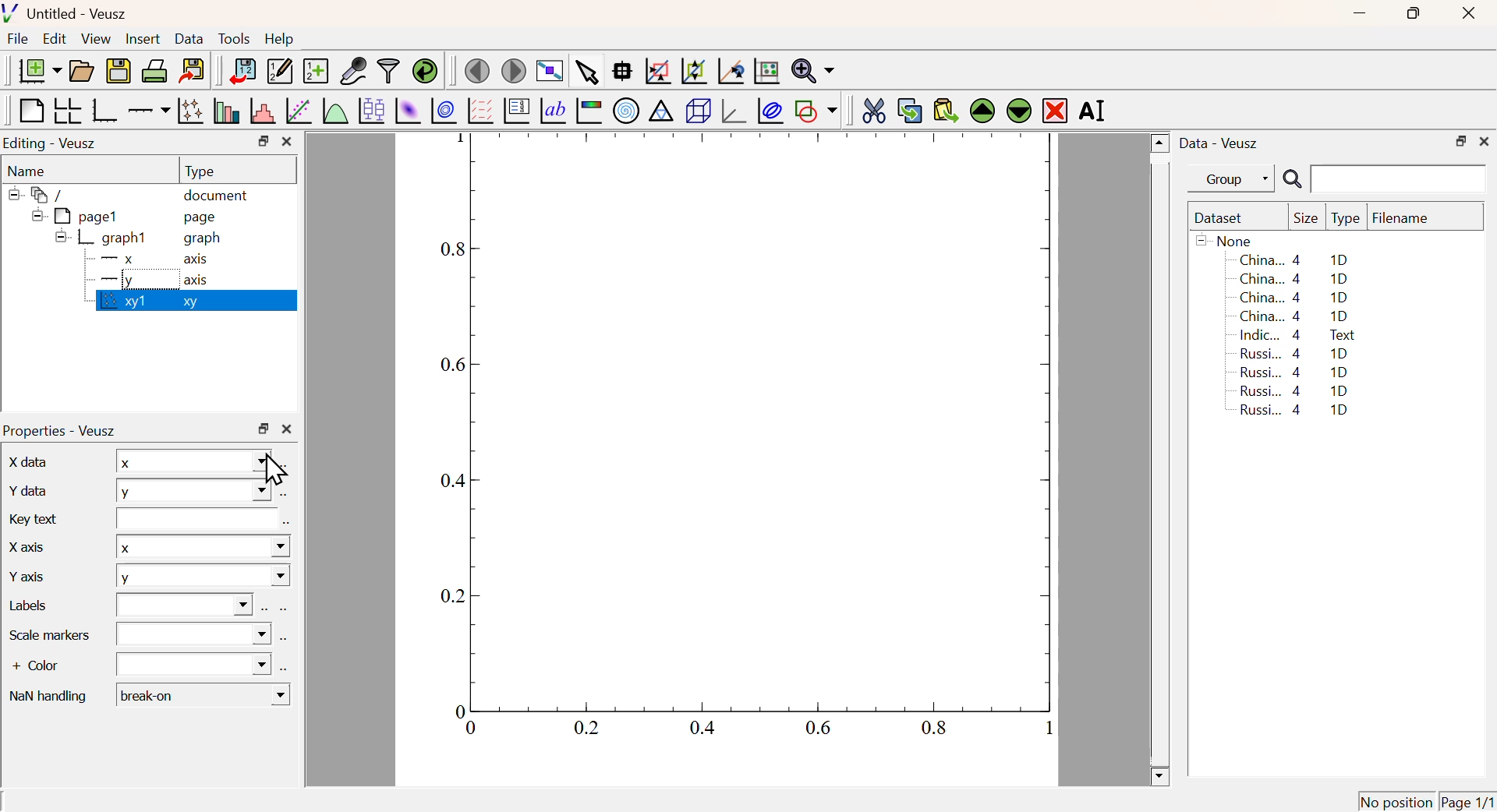 The image size is (1497, 812). What do you see at coordinates (192, 111) in the screenshot?
I see `Plot points with lines and errorbars` at bounding box center [192, 111].